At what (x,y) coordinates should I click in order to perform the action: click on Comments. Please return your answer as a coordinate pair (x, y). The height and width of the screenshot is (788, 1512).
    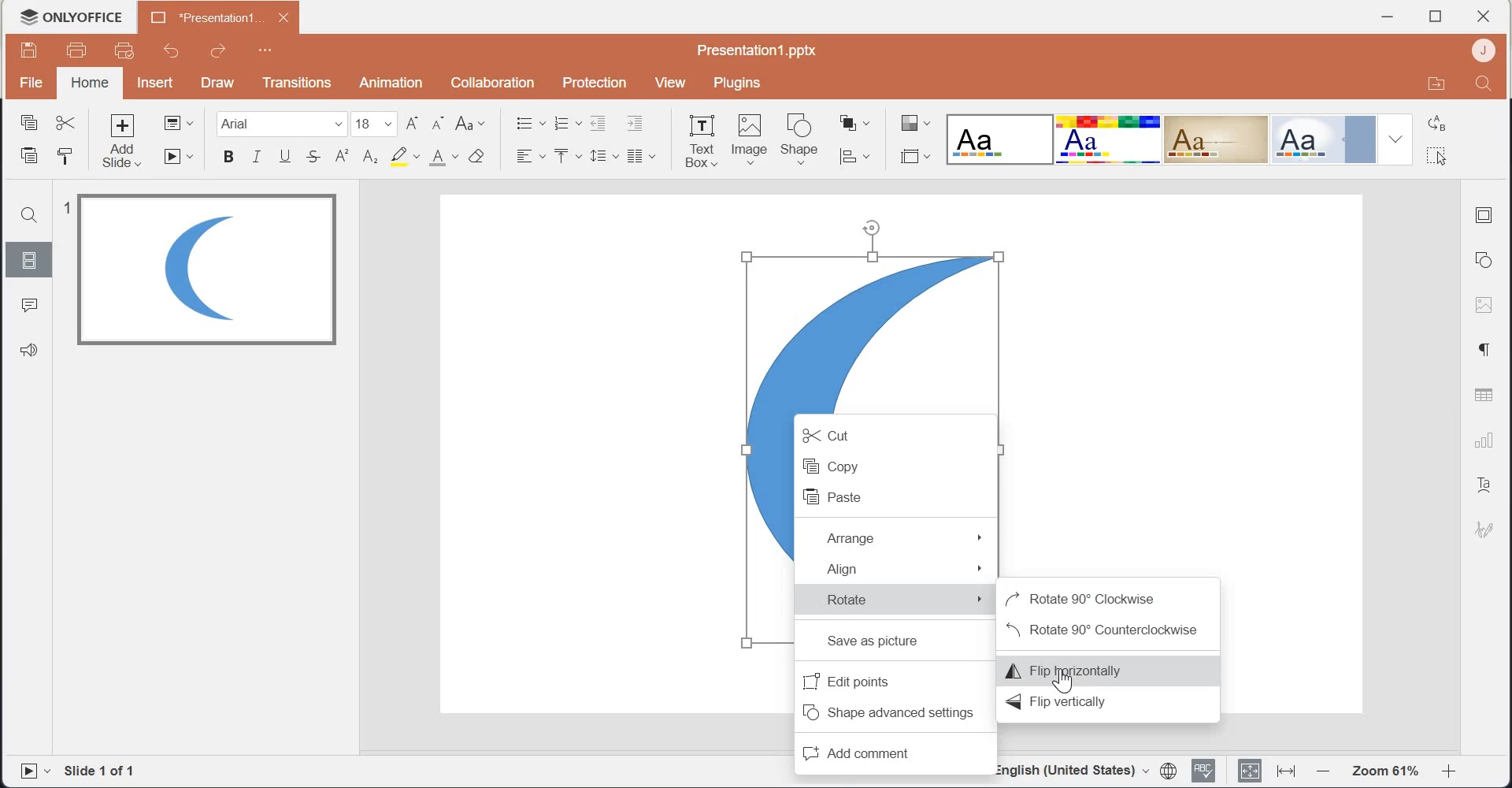
    Looking at the image, I should click on (27, 303).